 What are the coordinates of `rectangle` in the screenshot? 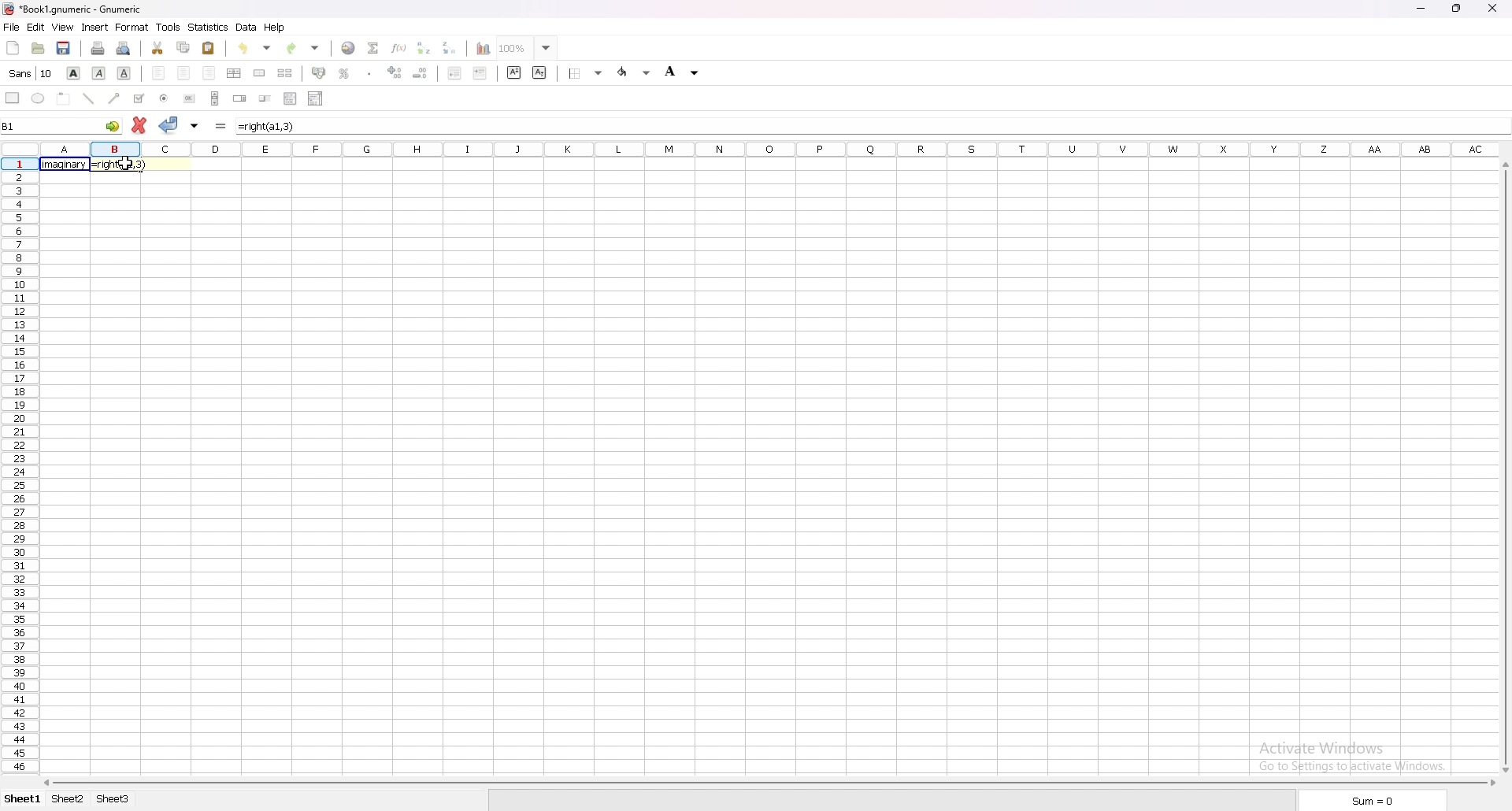 It's located at (12, 98).